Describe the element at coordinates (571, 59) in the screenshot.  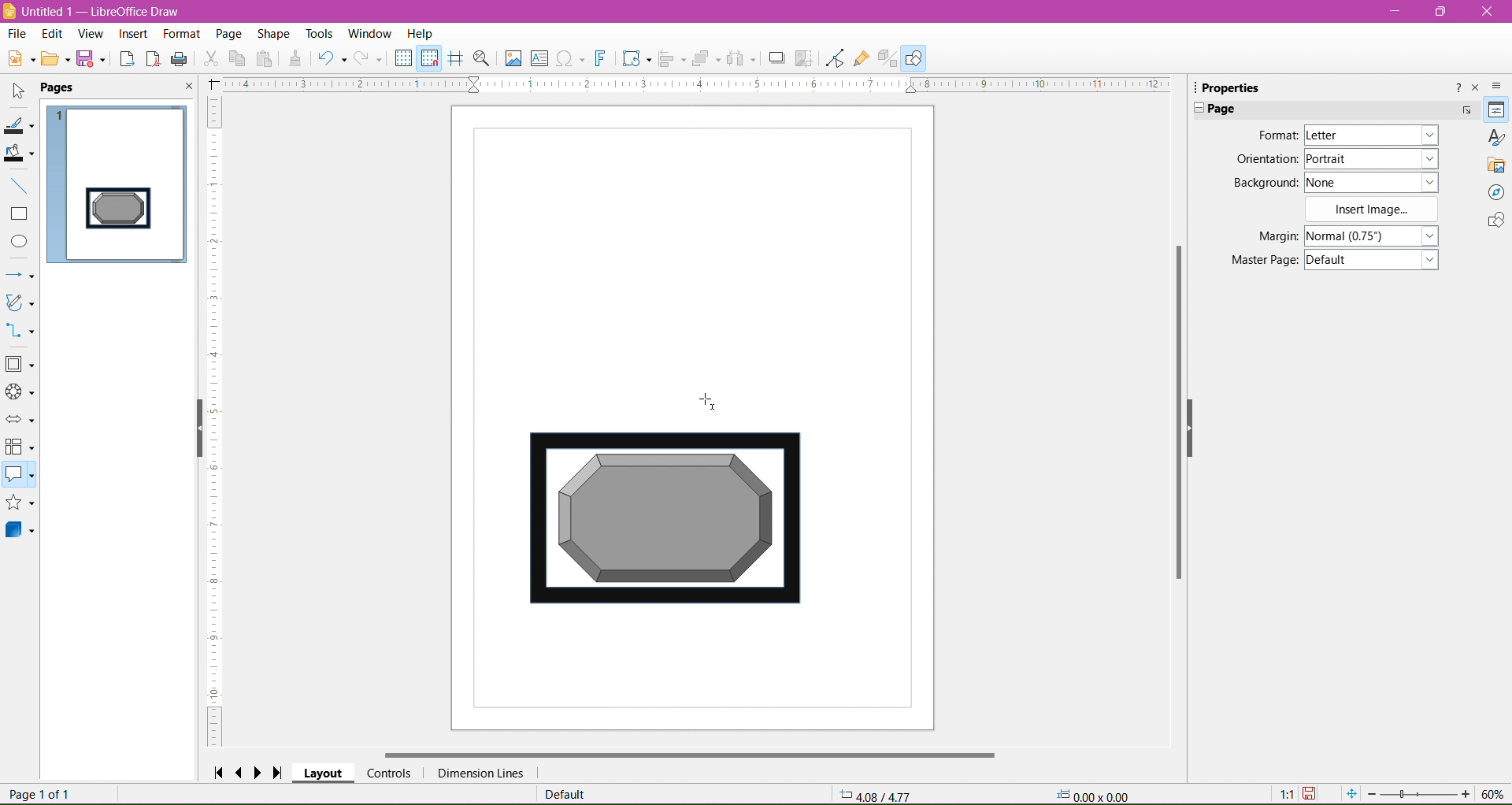
I see ` Insert Special Characters` at that location.